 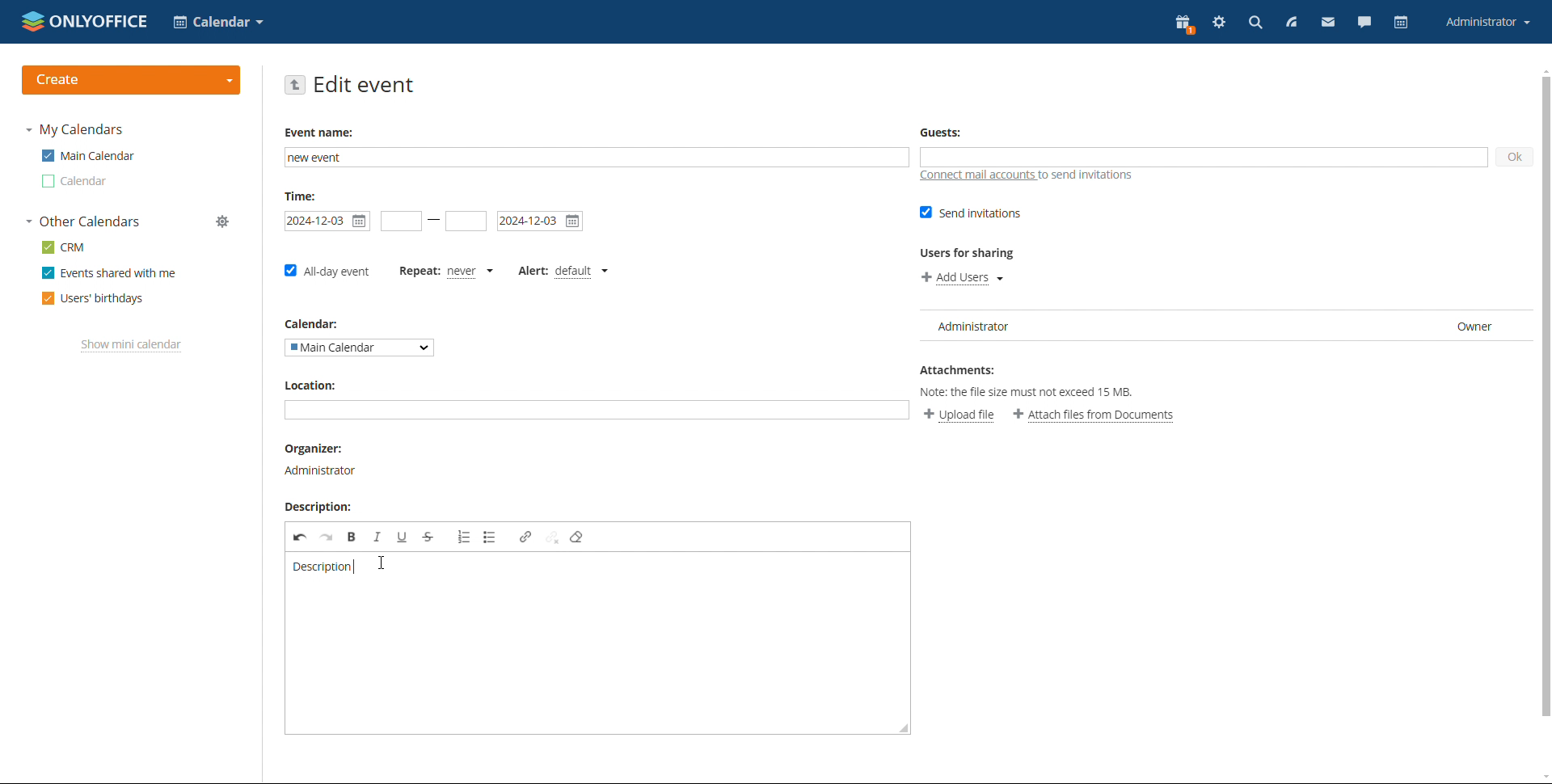 What do you see at coordinates (904, 723) in the screenshot?
I see `resize` at bounding box center [904, 723].